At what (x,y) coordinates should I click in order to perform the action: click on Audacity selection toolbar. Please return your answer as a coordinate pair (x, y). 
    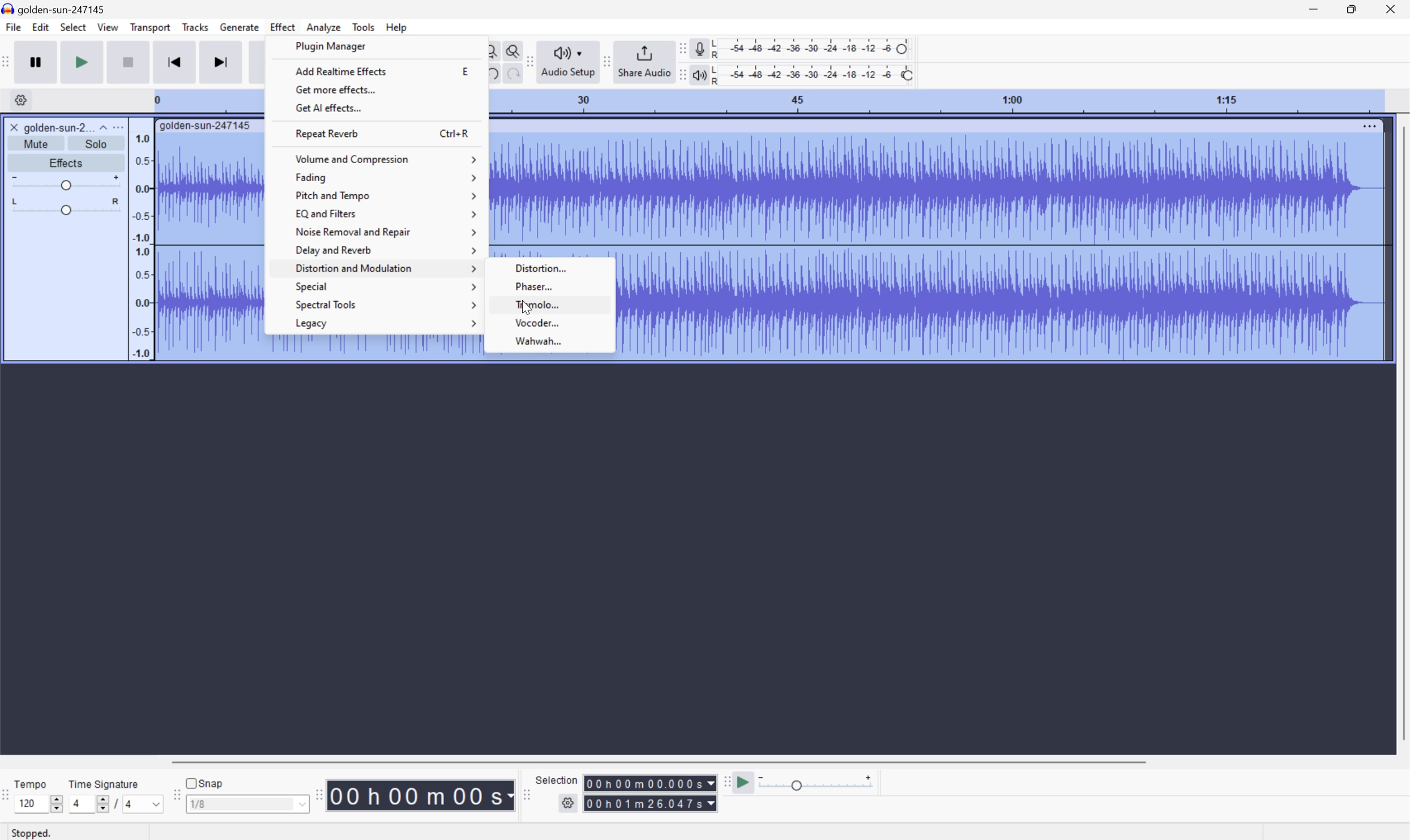
    Looking at the image, I should click on (526, 798).